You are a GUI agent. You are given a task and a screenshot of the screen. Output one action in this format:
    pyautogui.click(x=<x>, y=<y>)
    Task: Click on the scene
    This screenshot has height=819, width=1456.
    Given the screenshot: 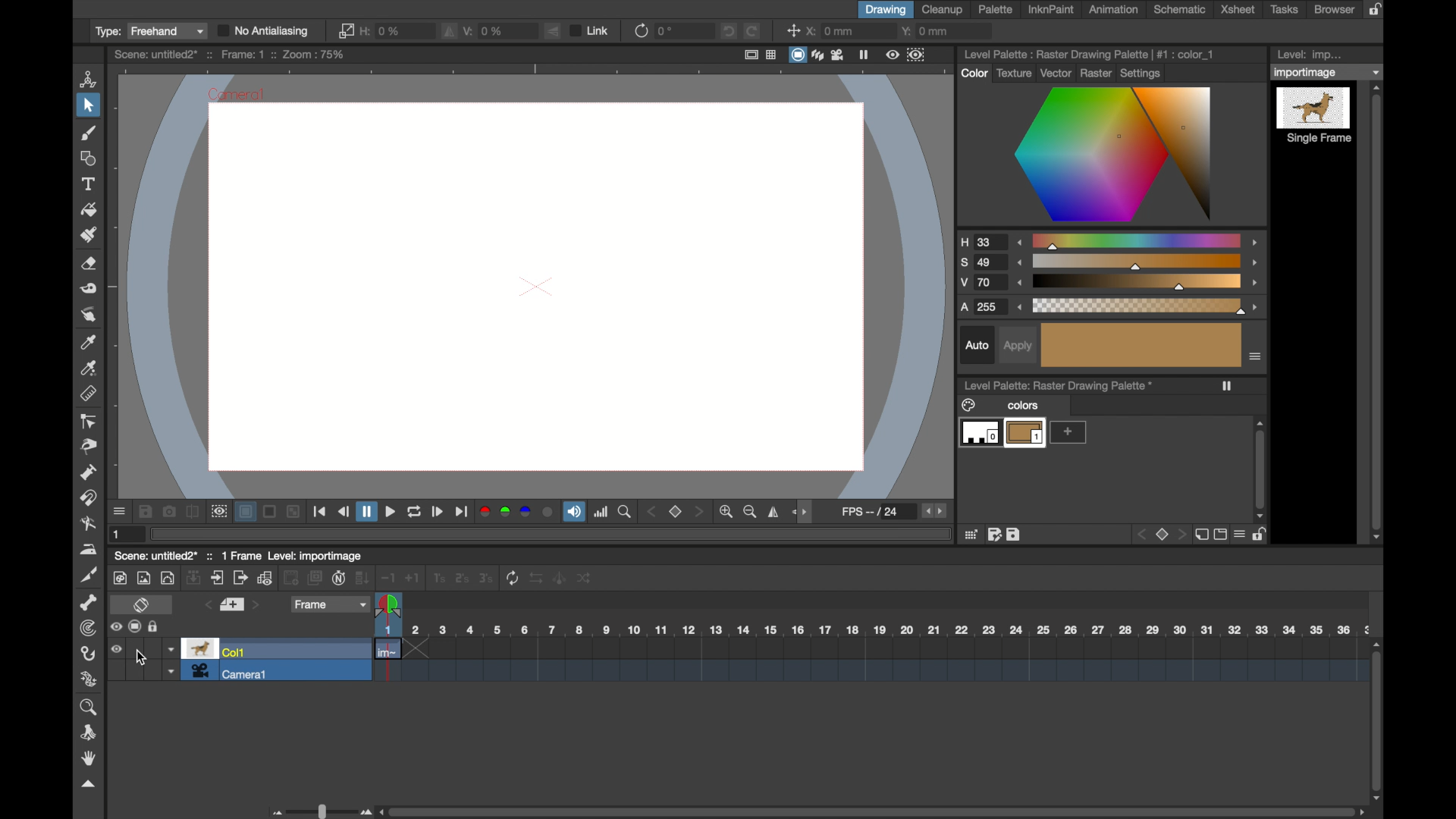 What is the action you would take?
    pyautogui.click(x=870, y=662)
    